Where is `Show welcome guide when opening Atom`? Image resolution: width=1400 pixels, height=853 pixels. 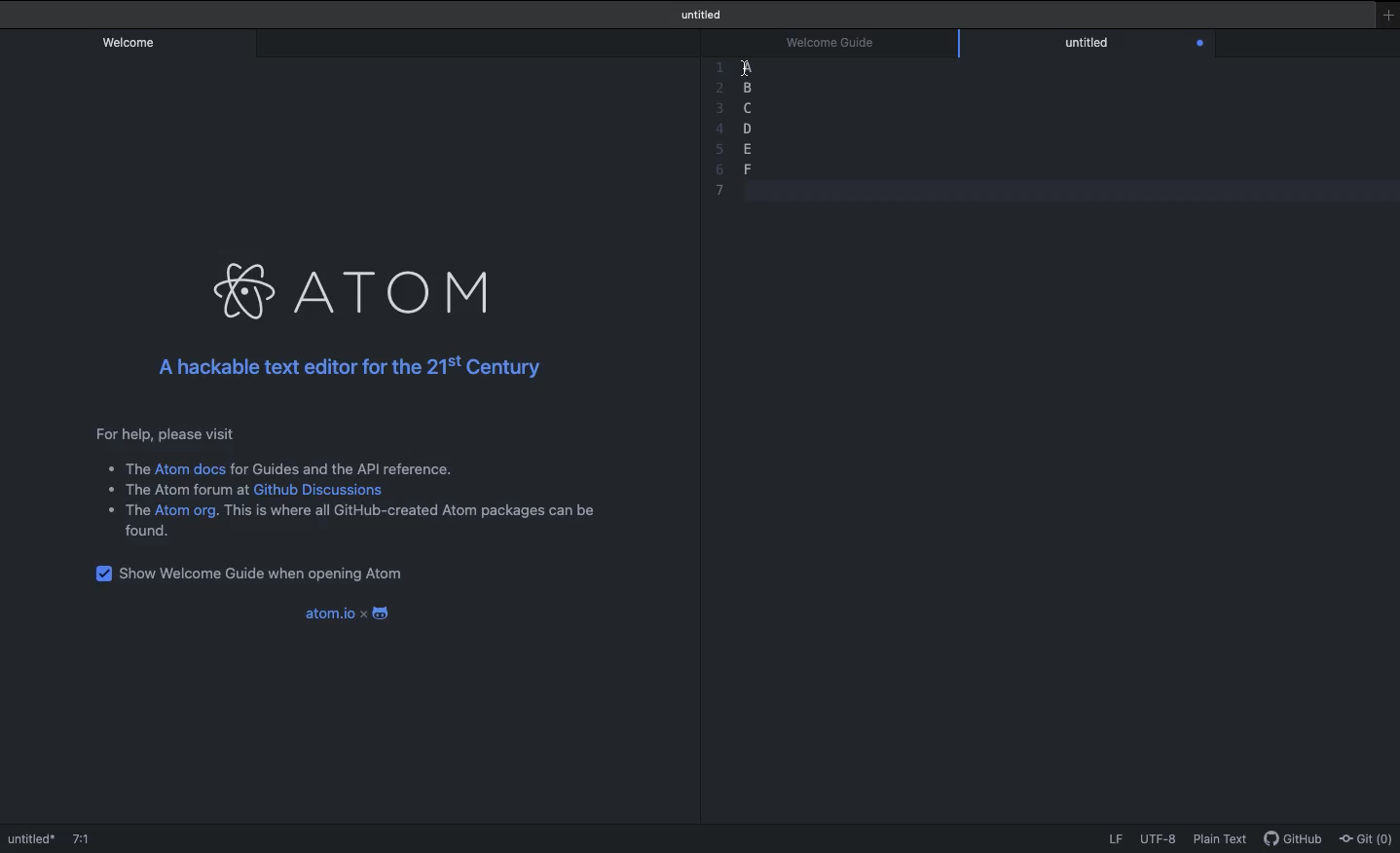 Show welcome guide when opening Atom is located at coordinates (258, 571).